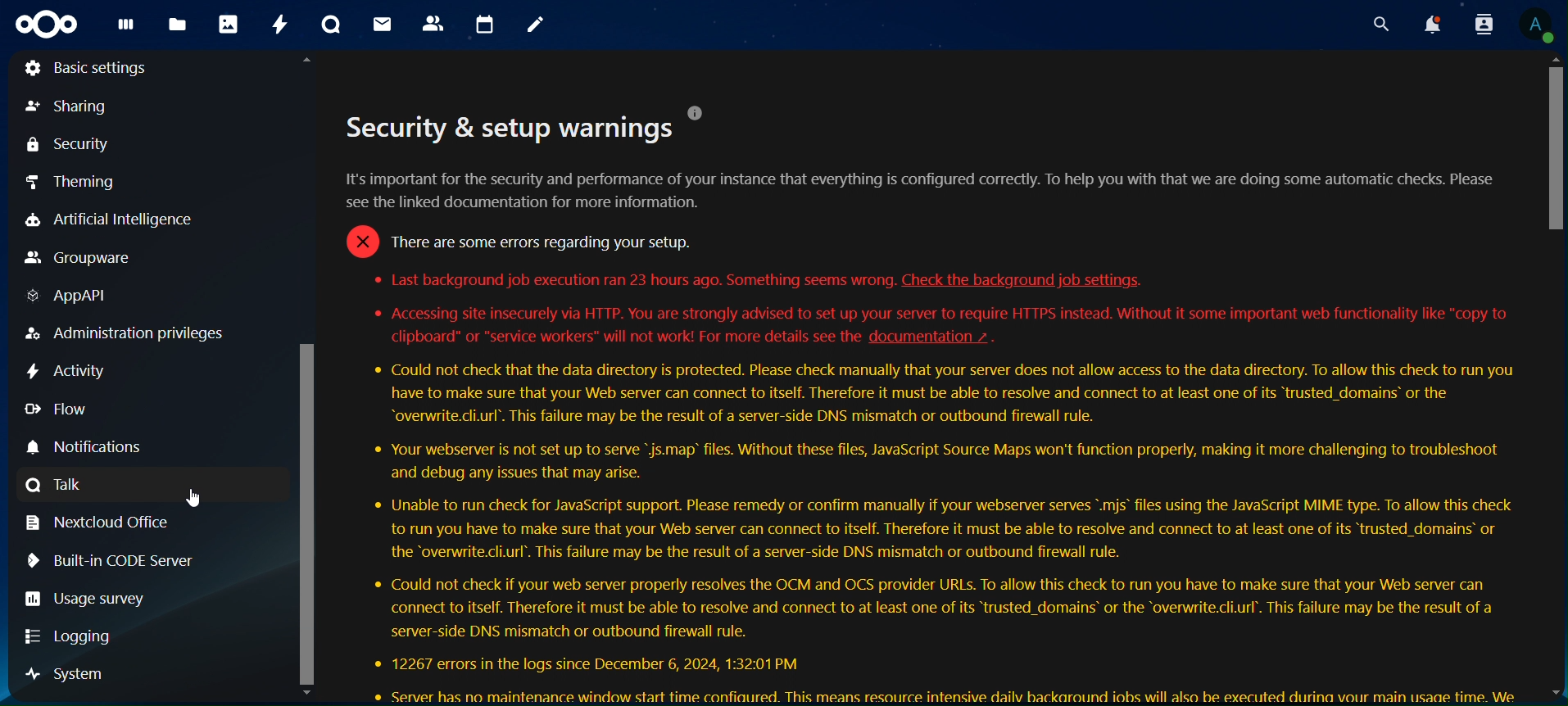  Describe the element at coordinates (1381, 25) in the screenshot. I see `search` at that location.